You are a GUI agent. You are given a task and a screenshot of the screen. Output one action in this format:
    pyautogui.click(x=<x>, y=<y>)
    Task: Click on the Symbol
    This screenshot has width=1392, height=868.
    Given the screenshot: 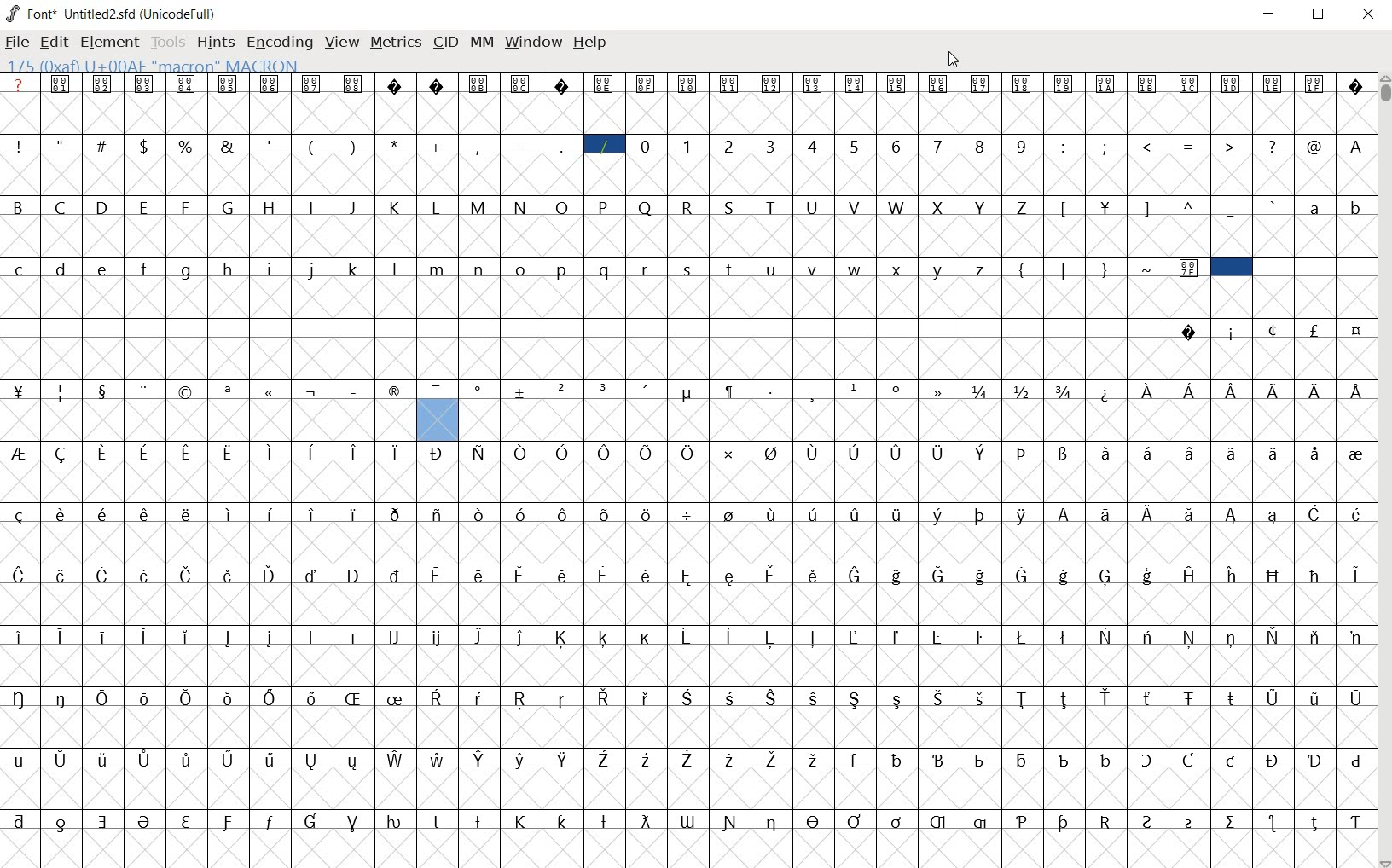 What is the action you would take?
    pyautogui.click(x=356, y=513)
    